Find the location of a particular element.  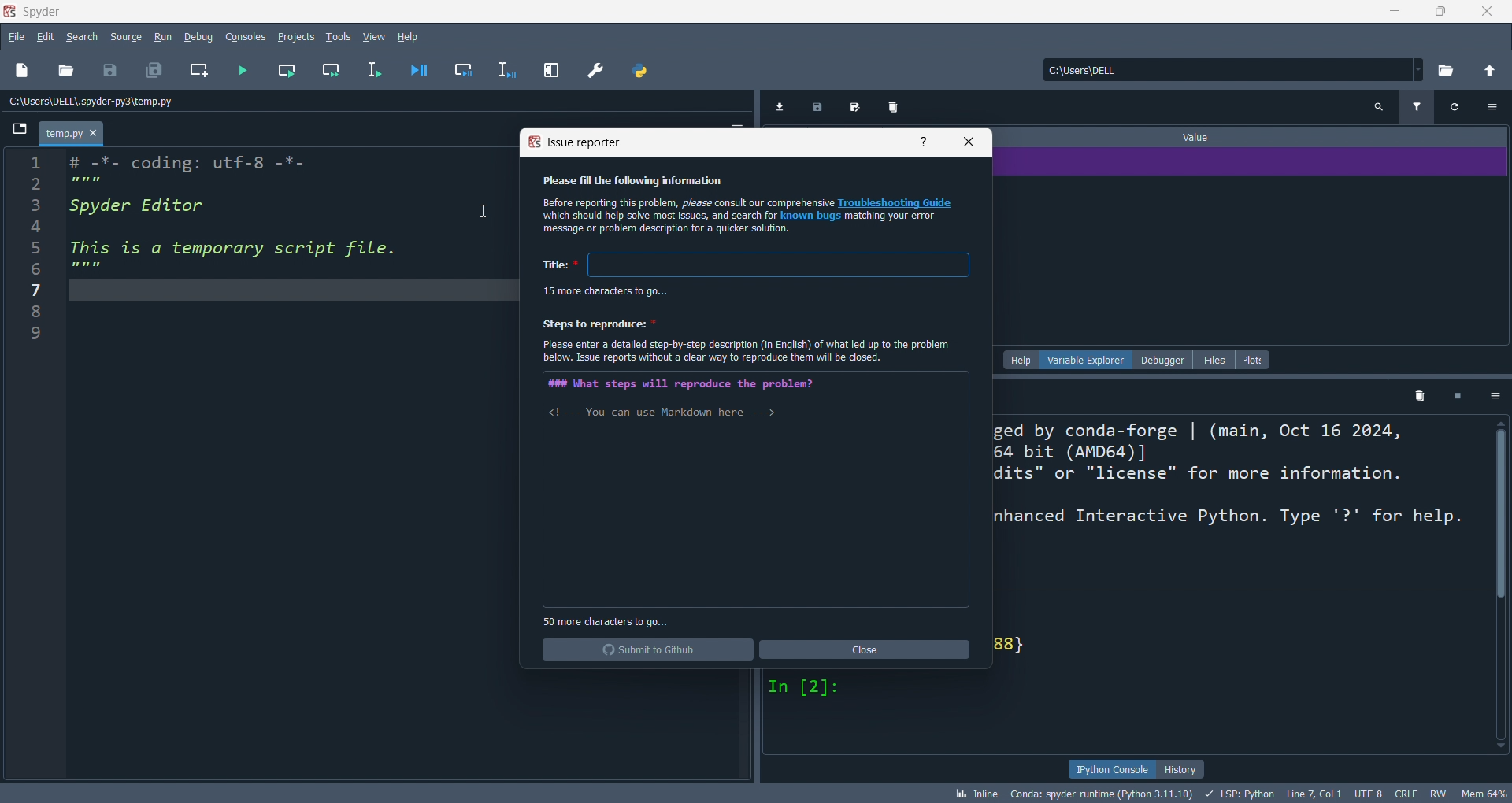

open directory is located at coordinates (1446, 71).